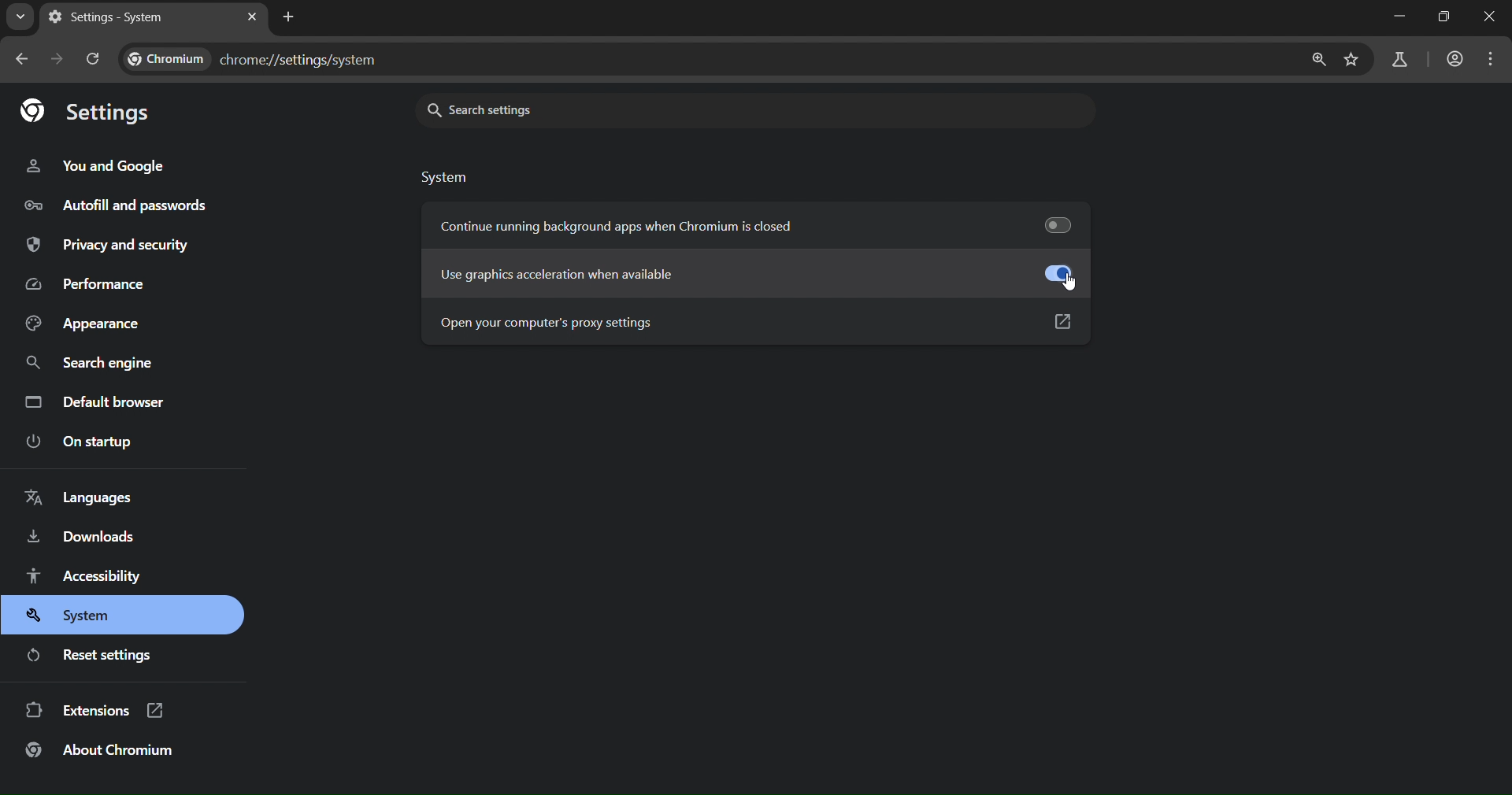 The image size is (1512, 795). I want to click on new tab, so click(291, 19).